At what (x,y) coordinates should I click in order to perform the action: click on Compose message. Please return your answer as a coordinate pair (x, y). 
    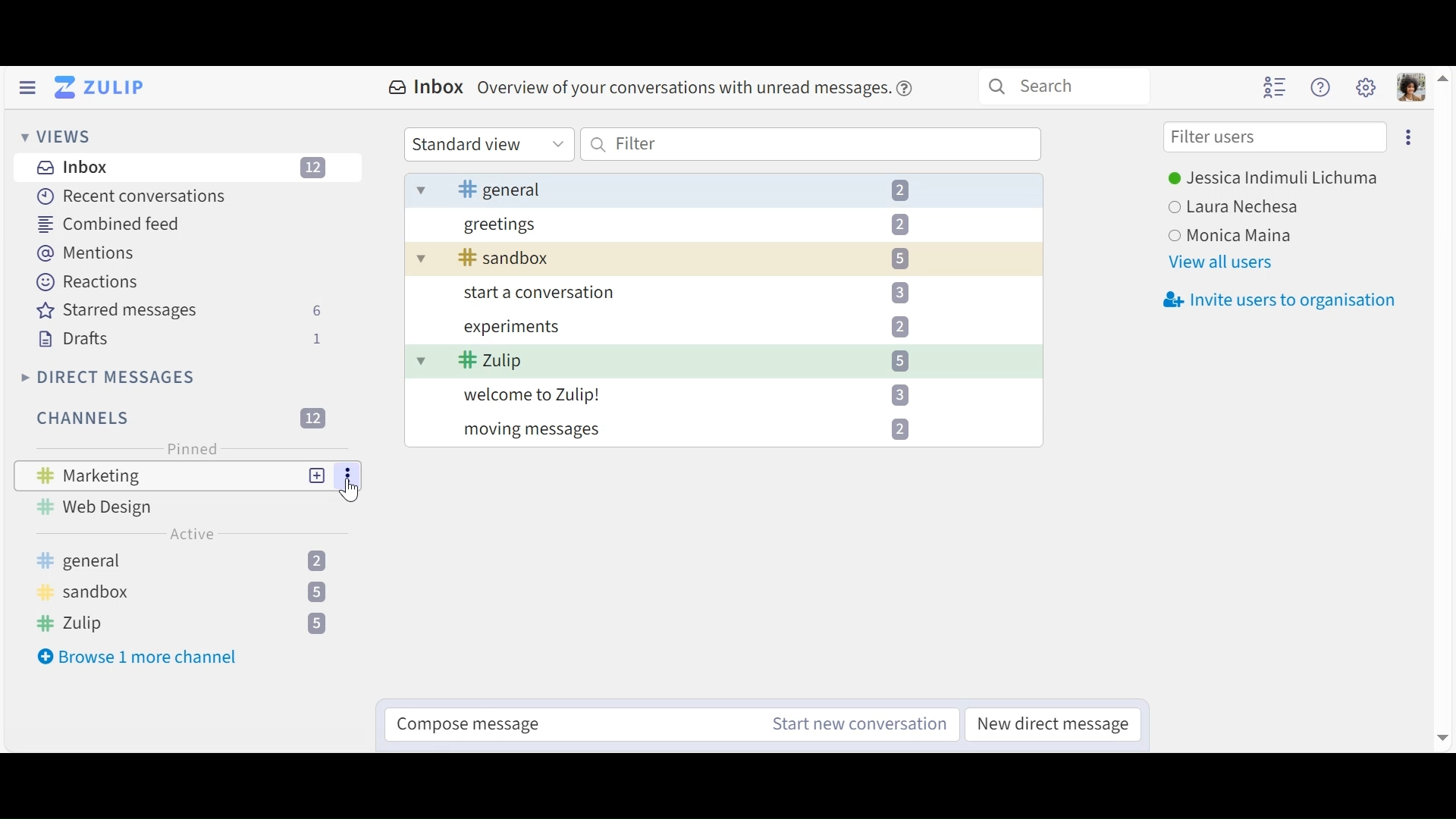
    Looking at the image, I should click on (478, 727).